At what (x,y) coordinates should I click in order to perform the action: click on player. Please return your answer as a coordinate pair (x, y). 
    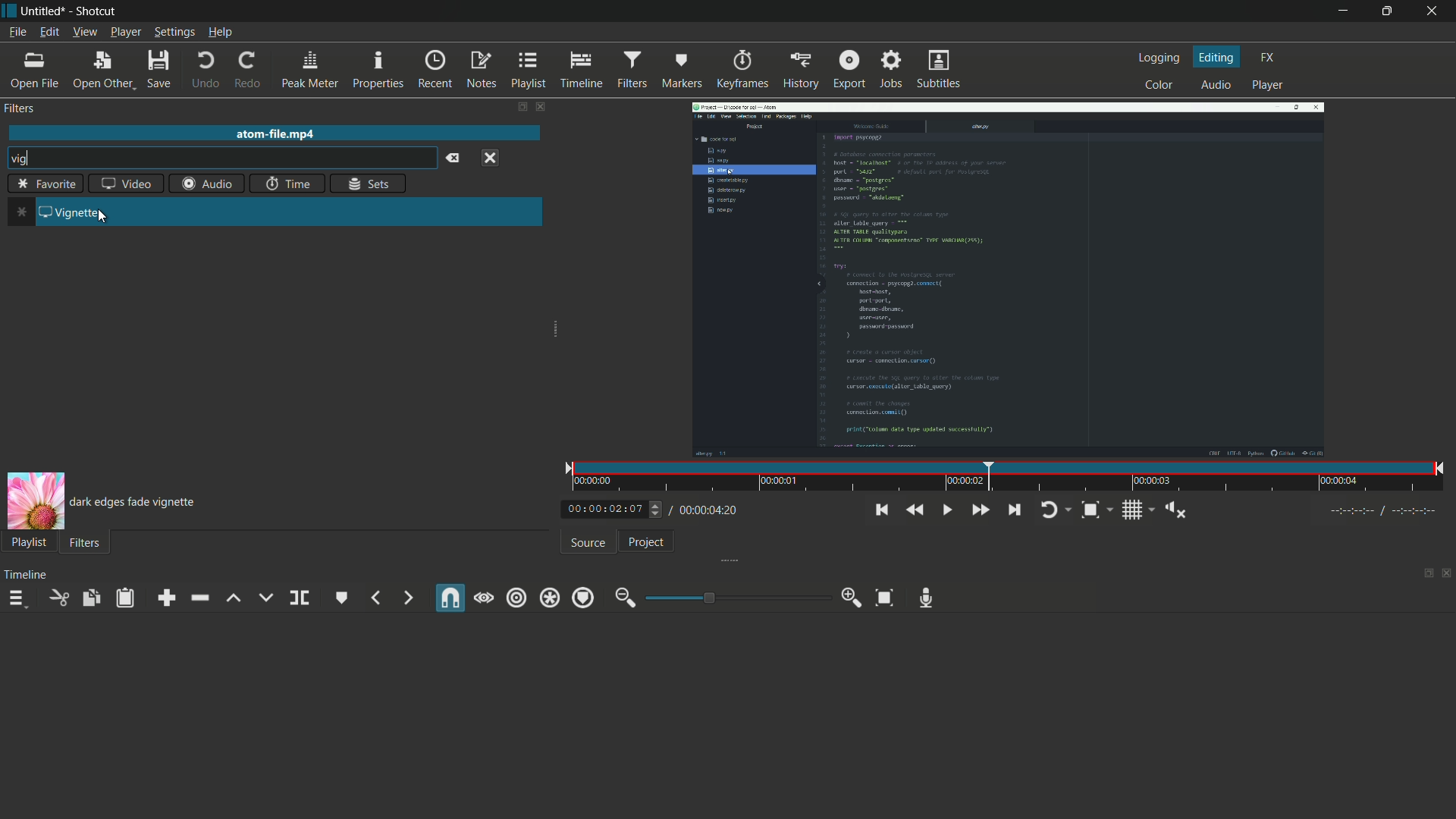
    Looking at the image, I should click on (1266, 86).